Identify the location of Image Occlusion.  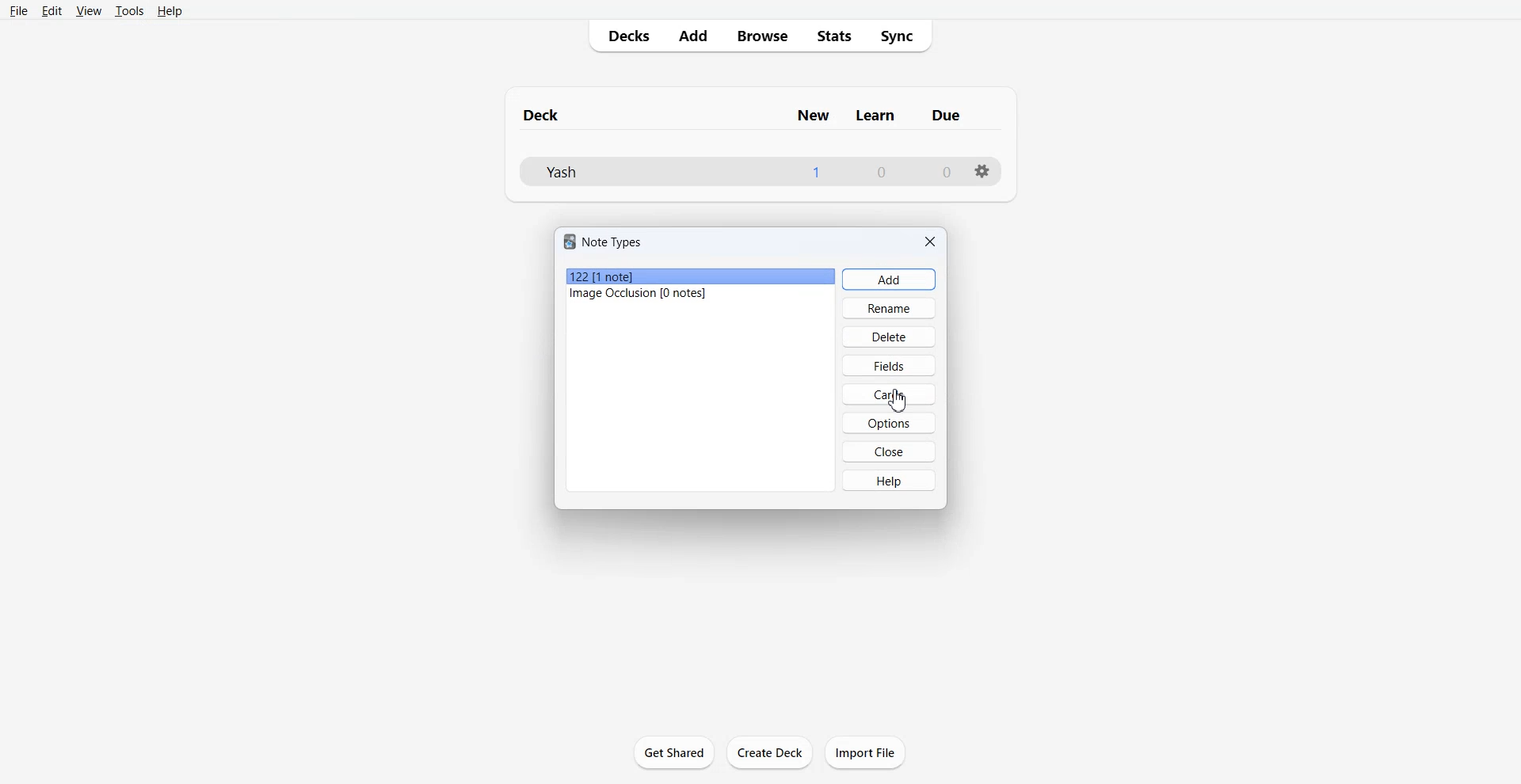
(701, 295).